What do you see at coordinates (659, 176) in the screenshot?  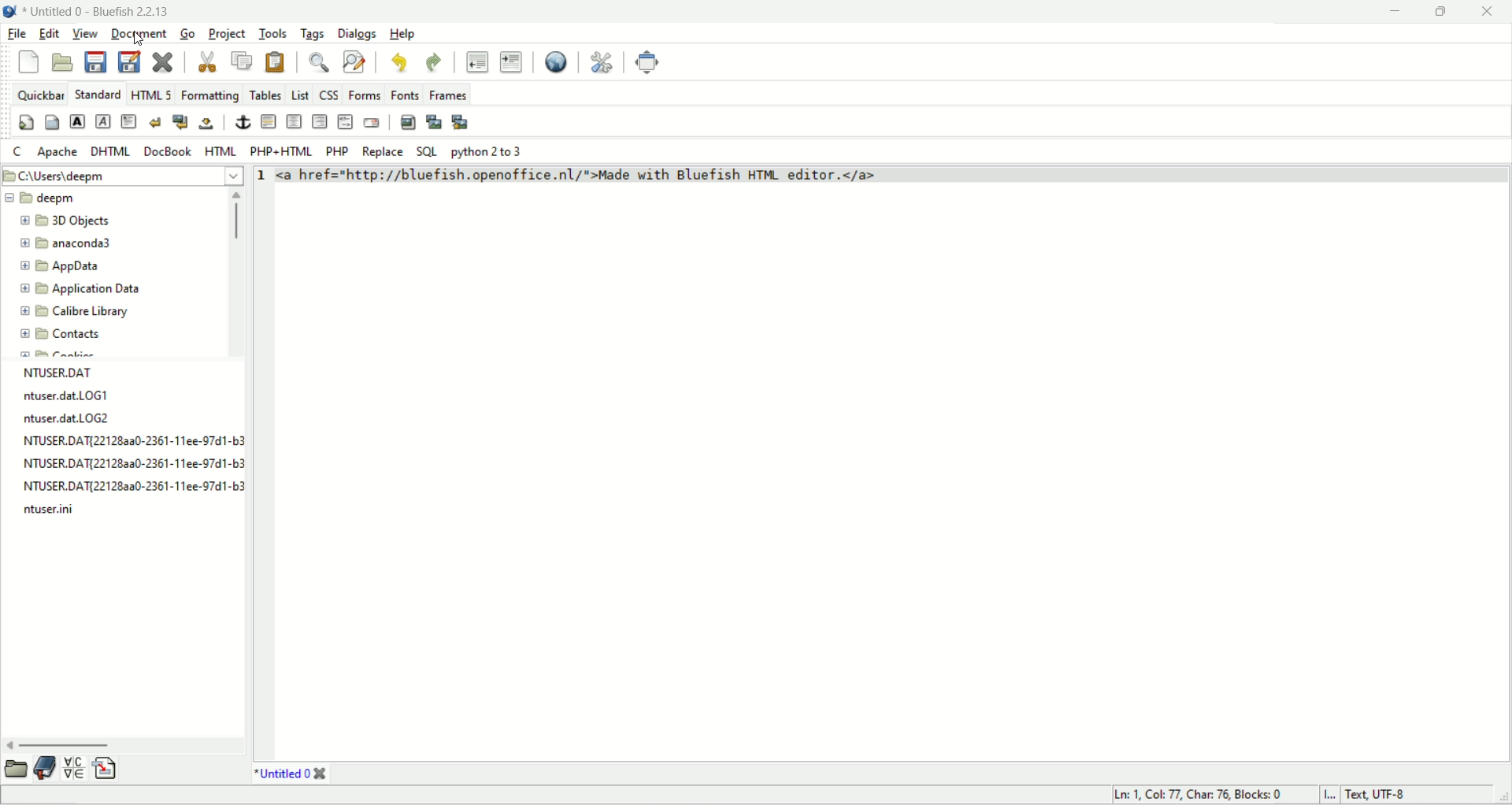 I see `code` at bounding box center [659, 176].